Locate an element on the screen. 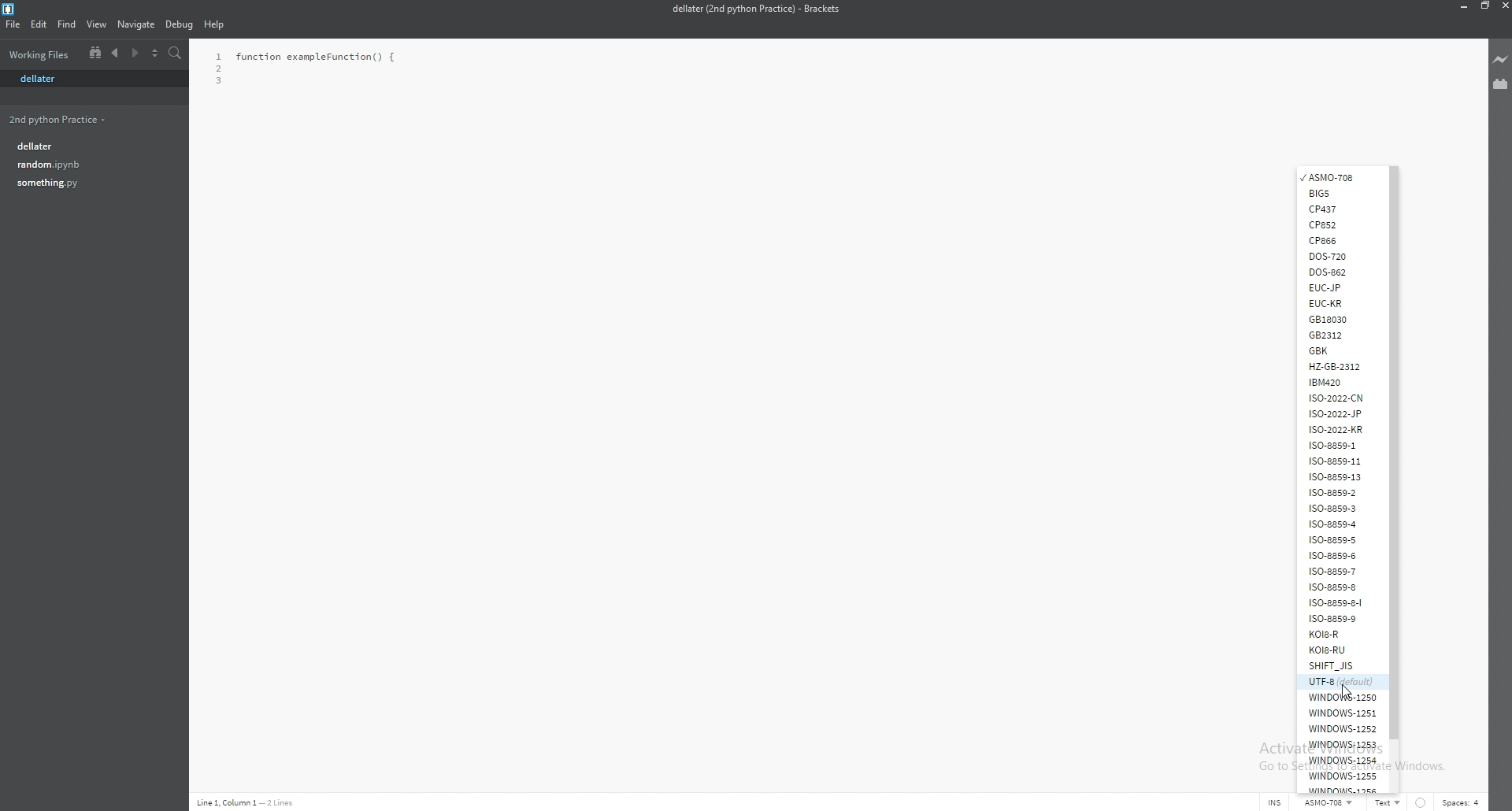 This screenshot has height=811, width=1512. iso-8859-8 is located at coordinates (1340, 587).